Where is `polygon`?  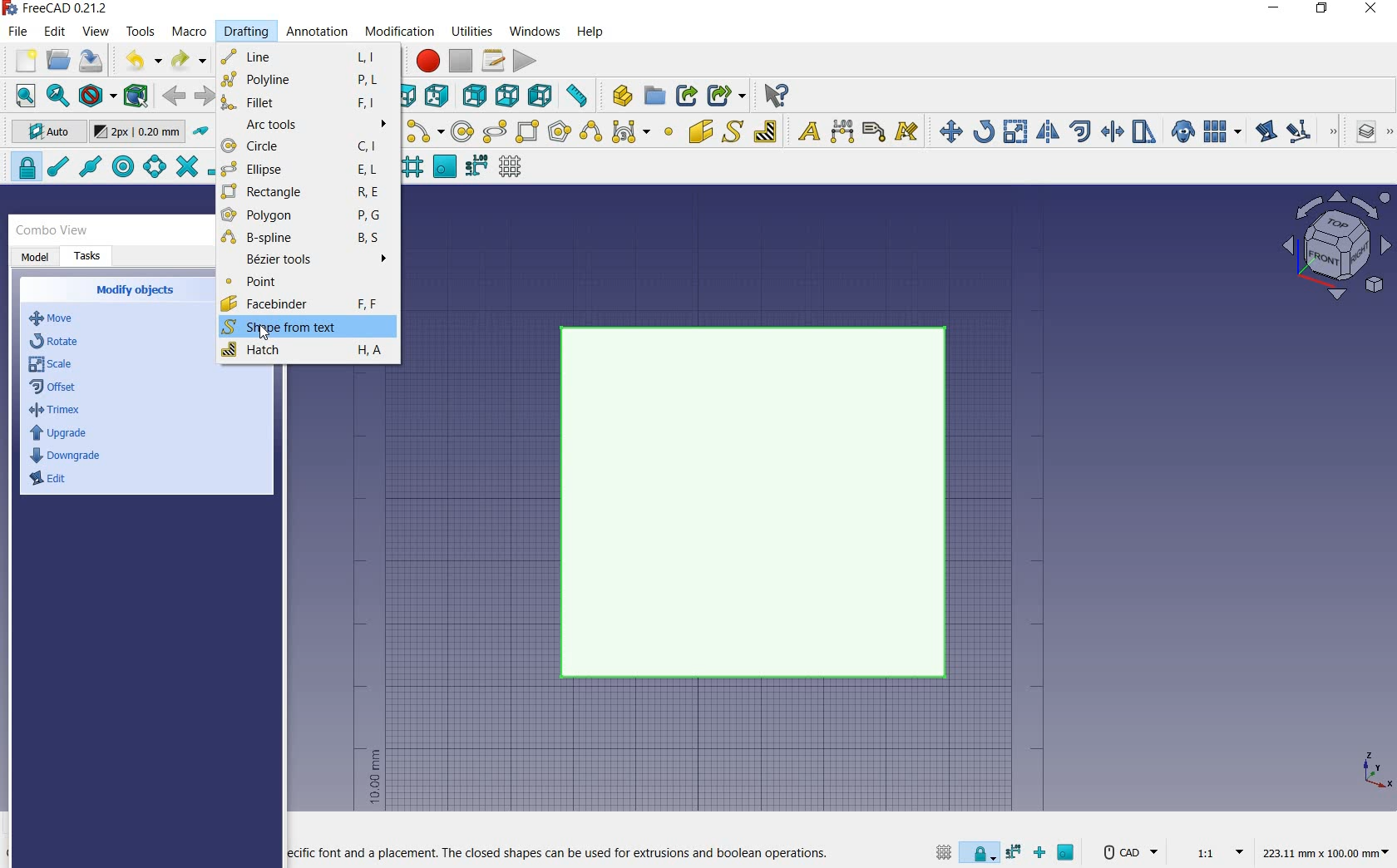
polygon is located at coordinates (305, 218).